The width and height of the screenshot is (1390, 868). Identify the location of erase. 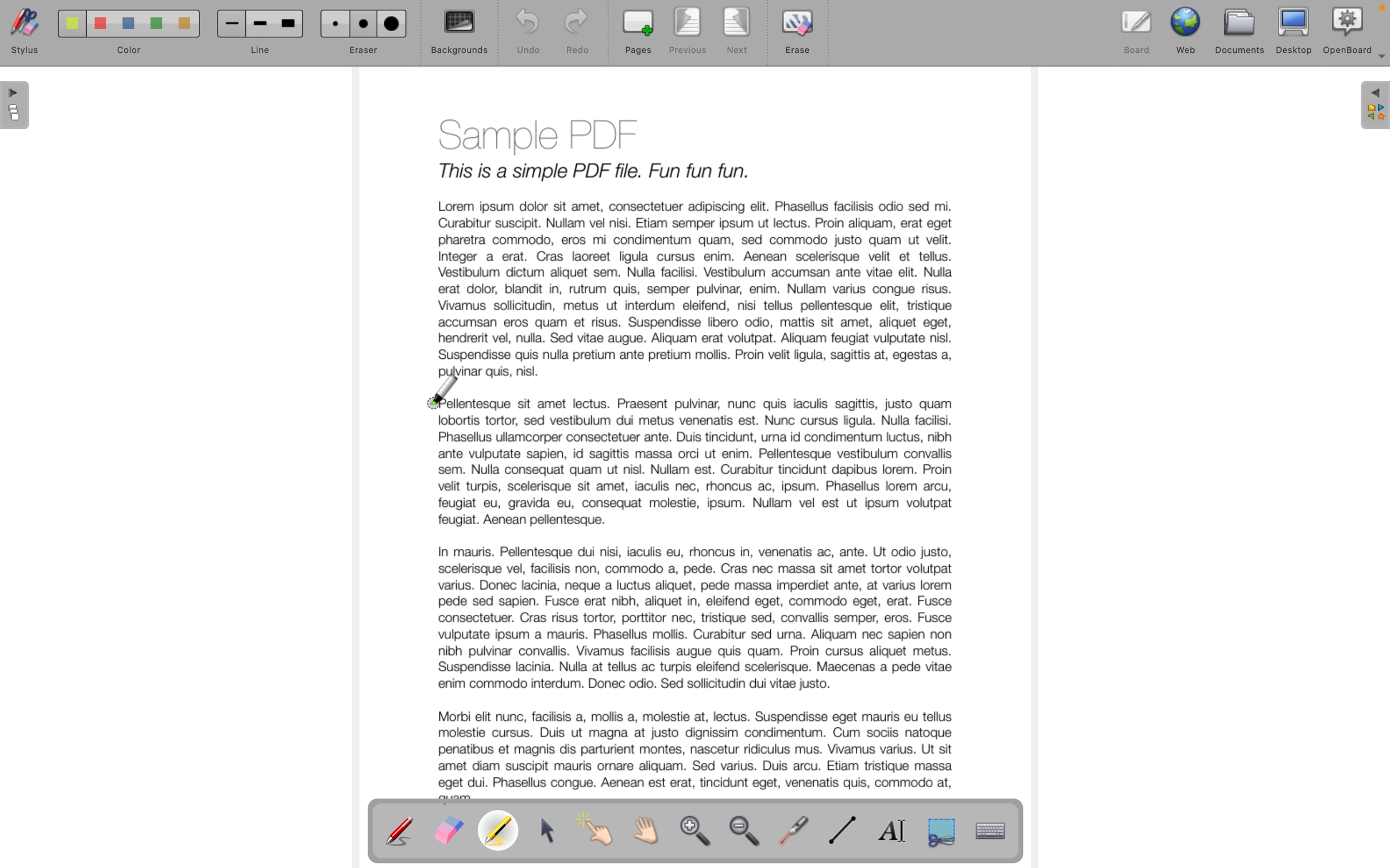
(800, 38).